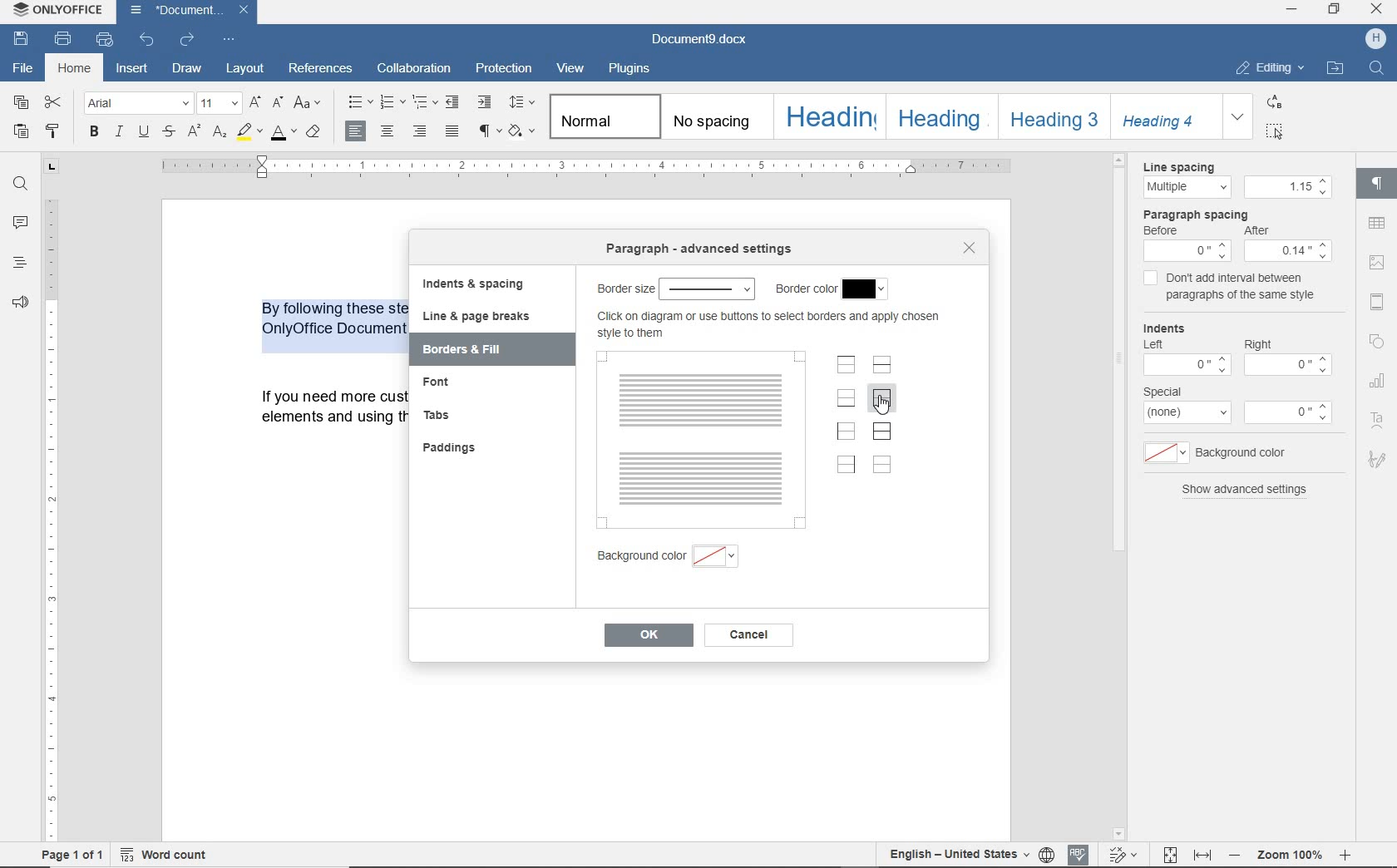 This screenshot has height=868, width=1397. Describe the element at coordinates (703, 441) in the screenshot. I see `preview` at that location.